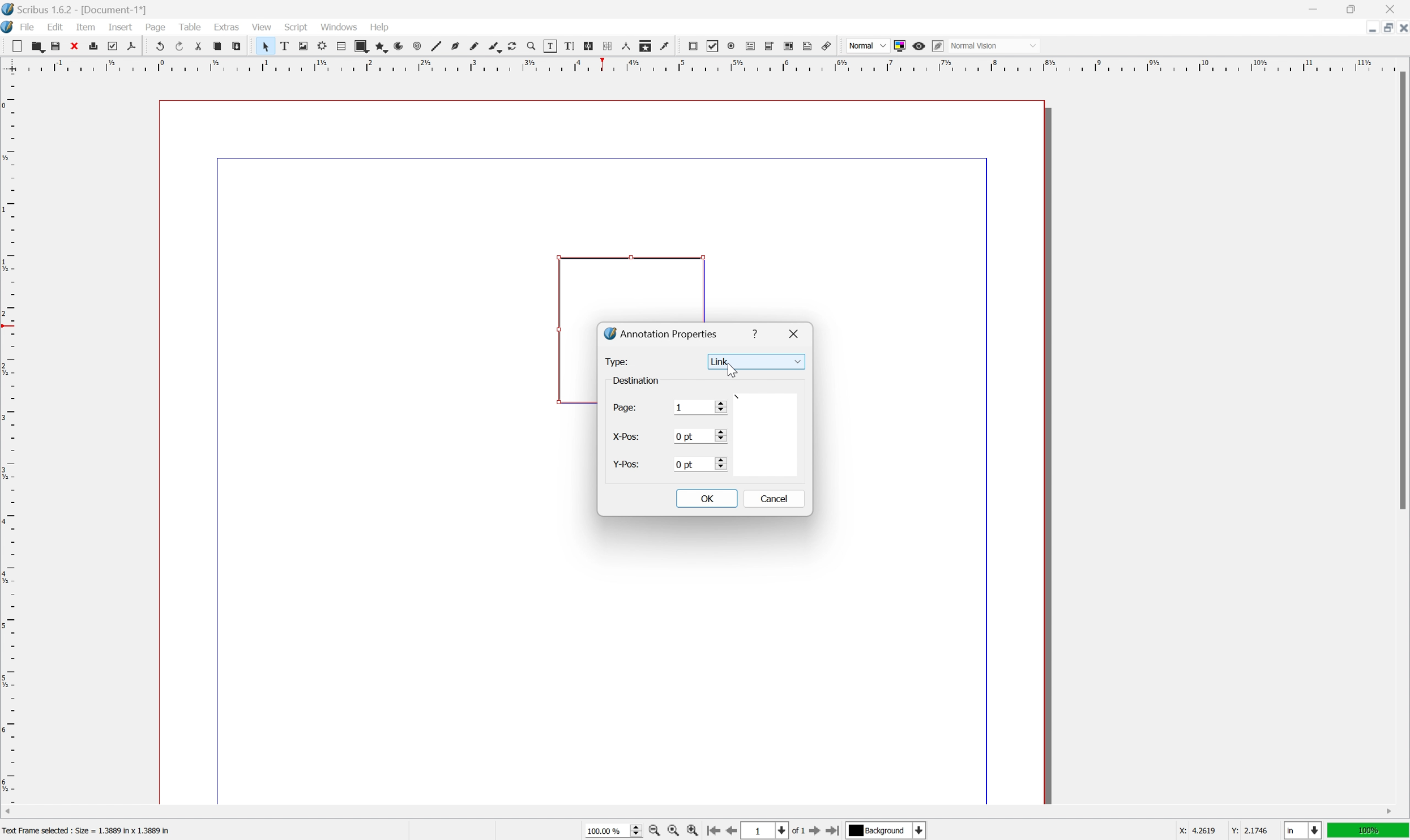  I want to click on polygon, so click(380, 46).